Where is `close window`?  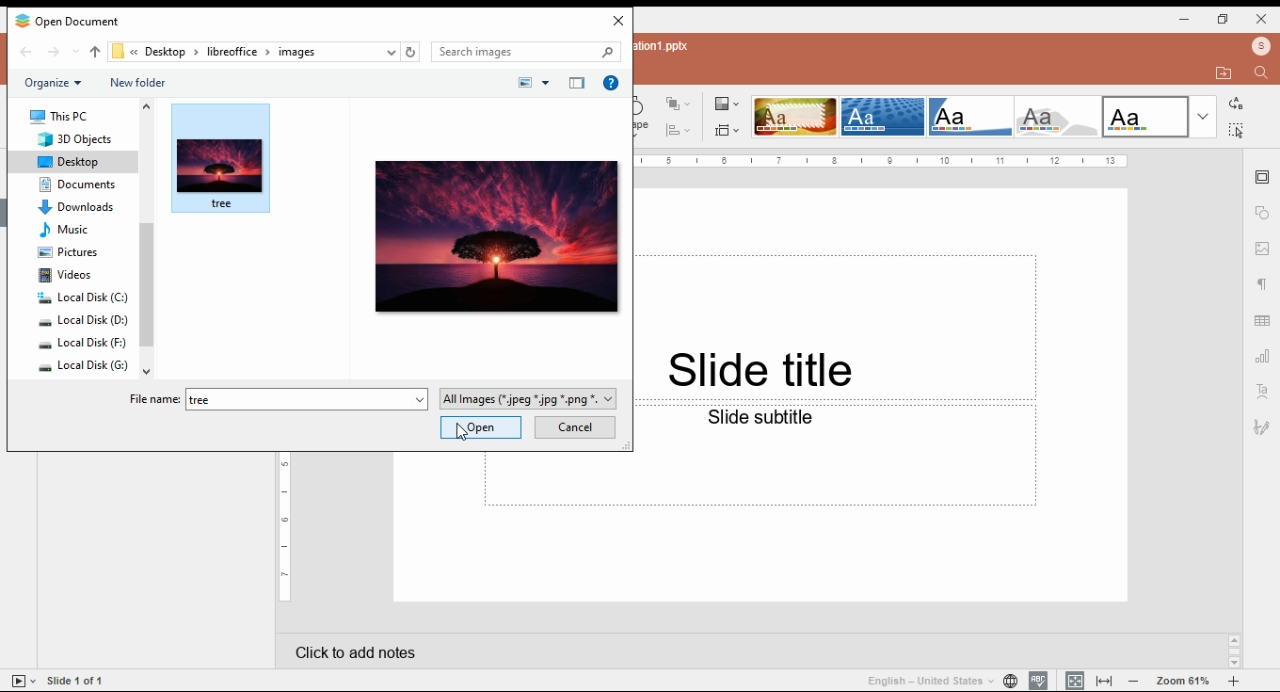 close window is located at coordinates (1263, 18).